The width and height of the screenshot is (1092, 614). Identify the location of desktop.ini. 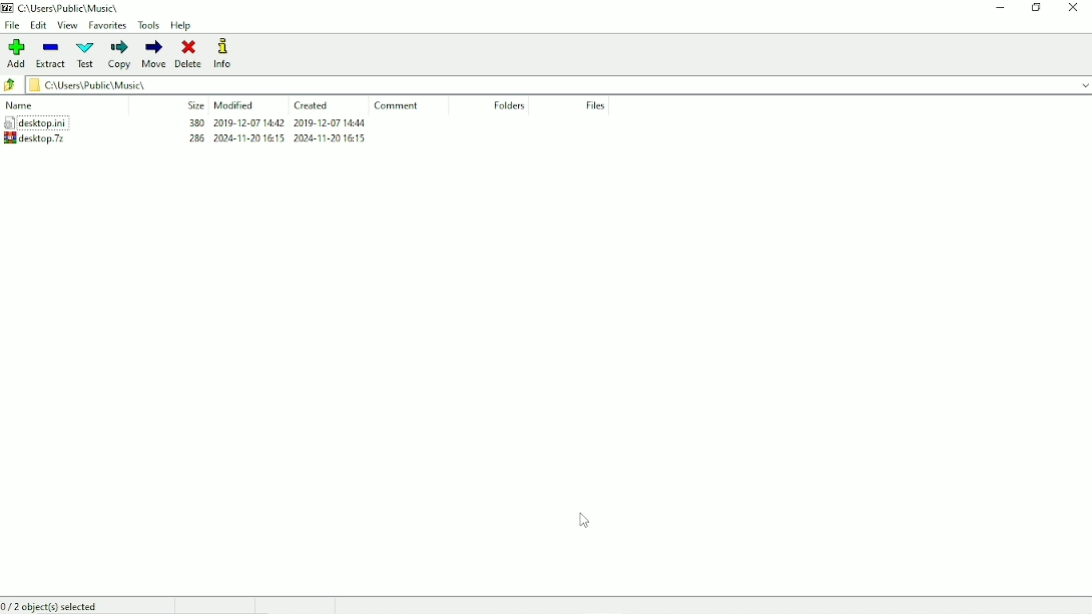
(185, 122).